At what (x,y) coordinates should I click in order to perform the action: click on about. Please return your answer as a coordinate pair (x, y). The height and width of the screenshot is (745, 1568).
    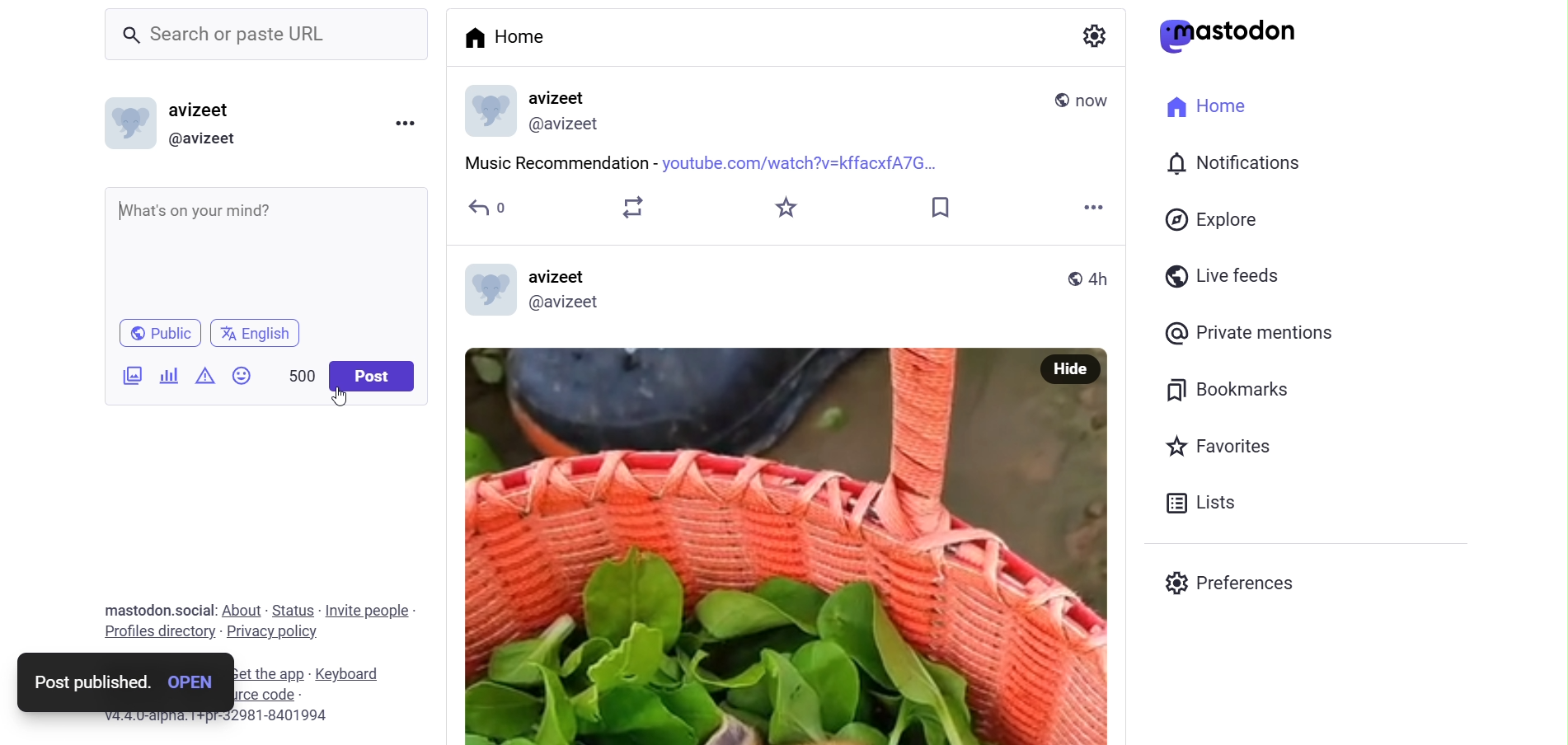
    Looking at the image, I should click on (241, 610).